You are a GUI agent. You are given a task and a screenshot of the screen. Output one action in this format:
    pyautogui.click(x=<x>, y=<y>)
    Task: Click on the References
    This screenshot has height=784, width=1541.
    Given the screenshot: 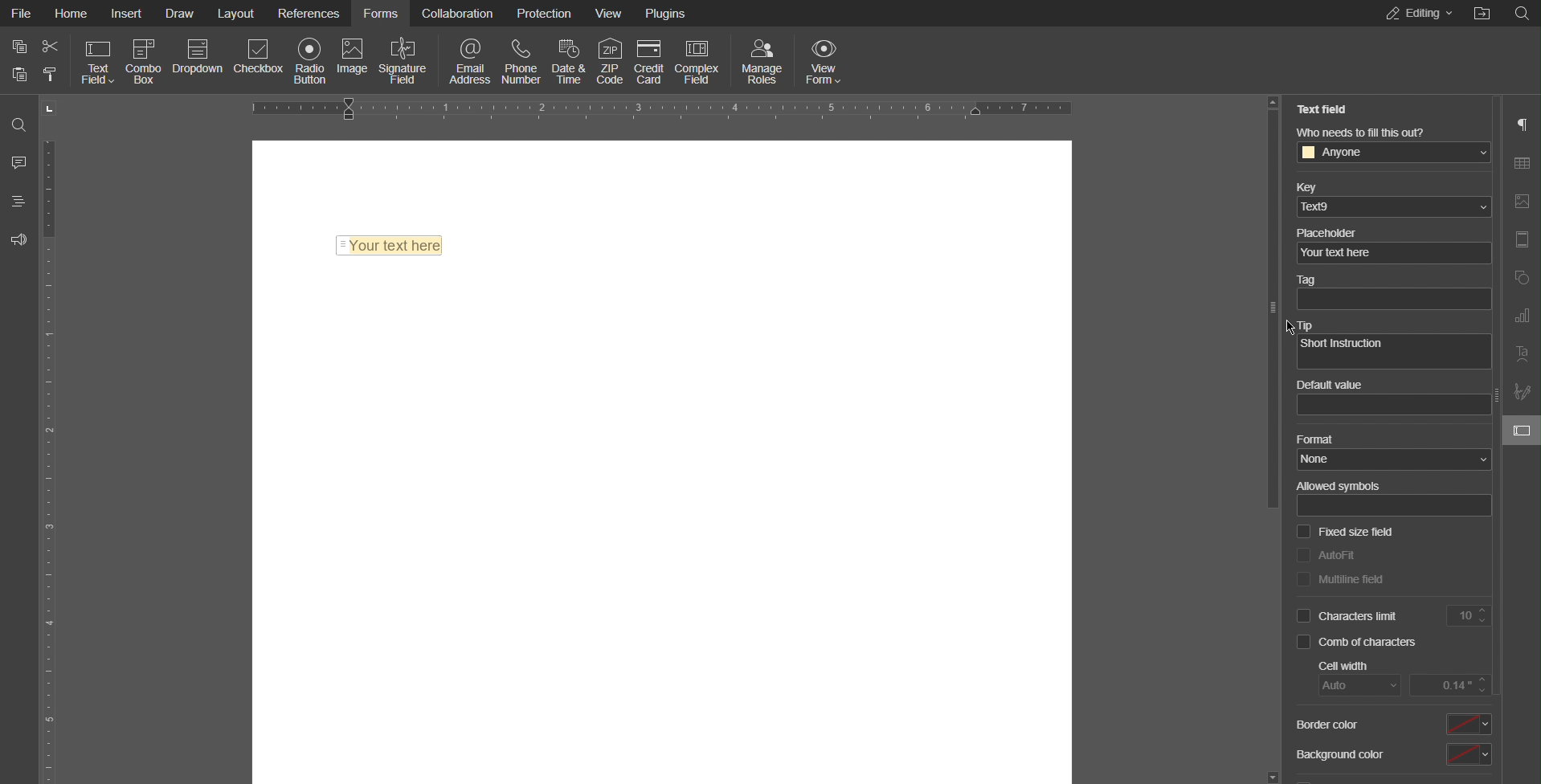 What is the action you would take?
    pyautogui.click(x=309, y=11)
    